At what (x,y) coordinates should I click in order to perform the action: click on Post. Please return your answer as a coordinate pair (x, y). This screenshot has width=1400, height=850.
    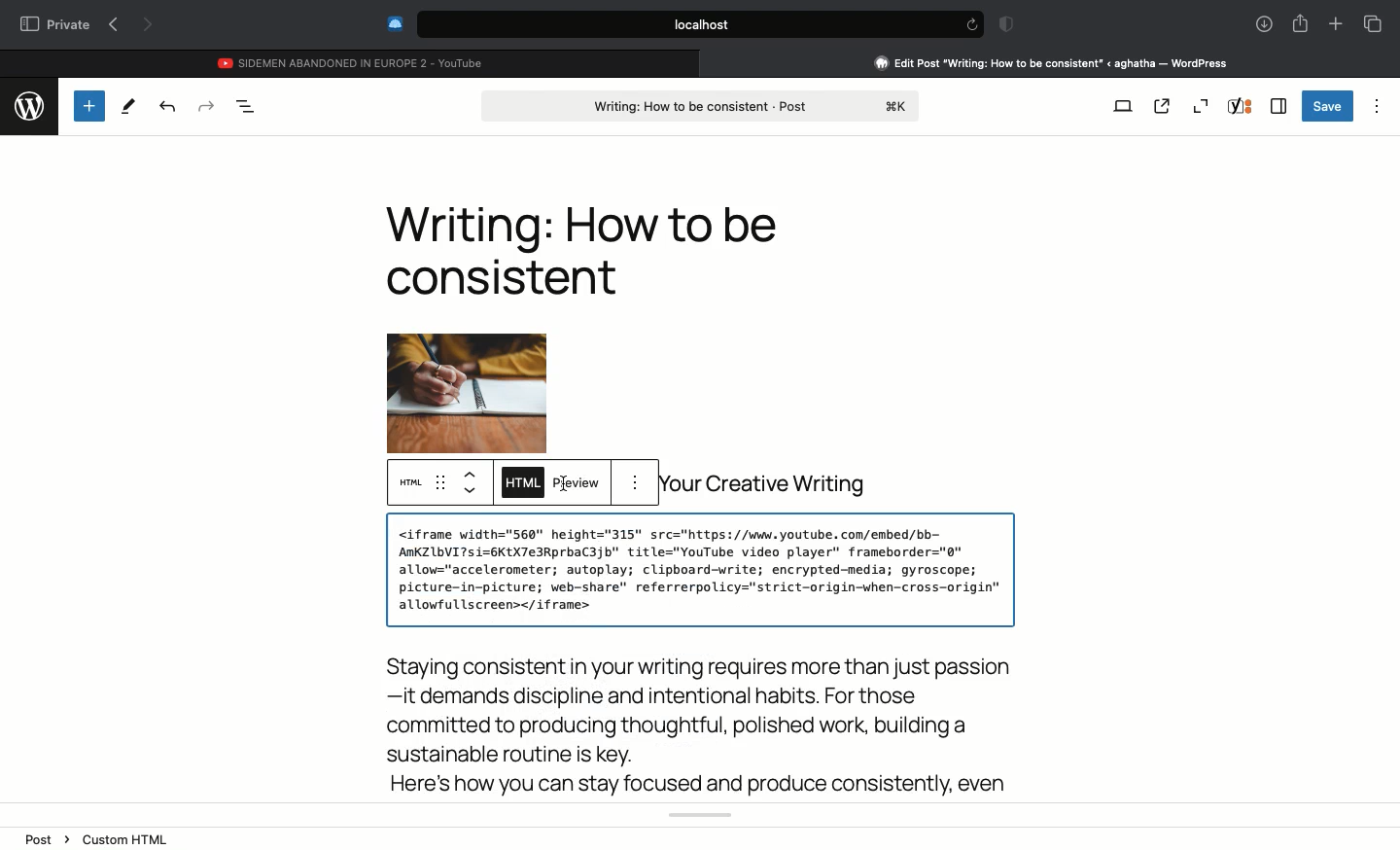
    Looking at the image, I should click on (703, 104).